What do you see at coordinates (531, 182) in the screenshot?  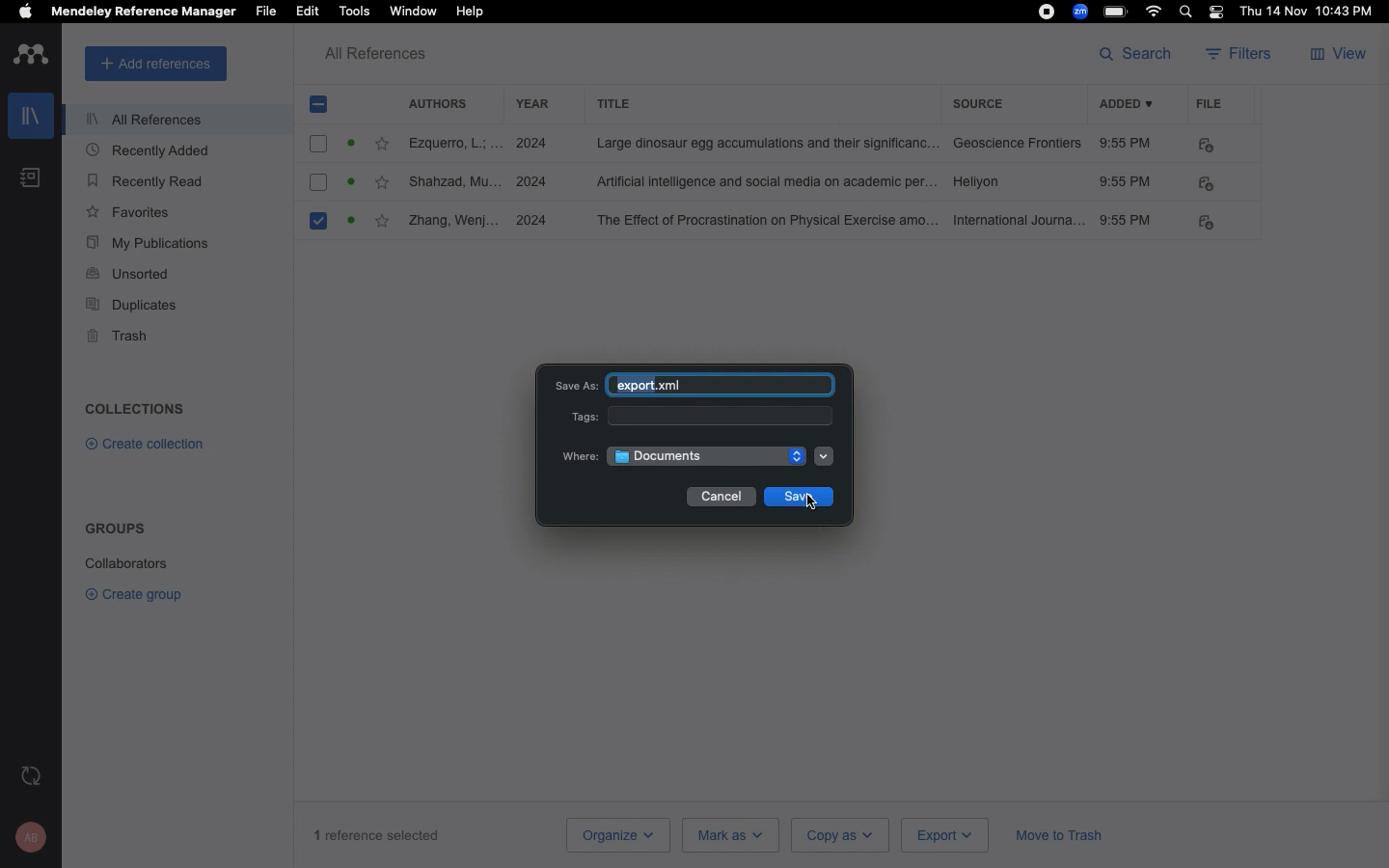 I see `2024` at bounding box center [531, 182].